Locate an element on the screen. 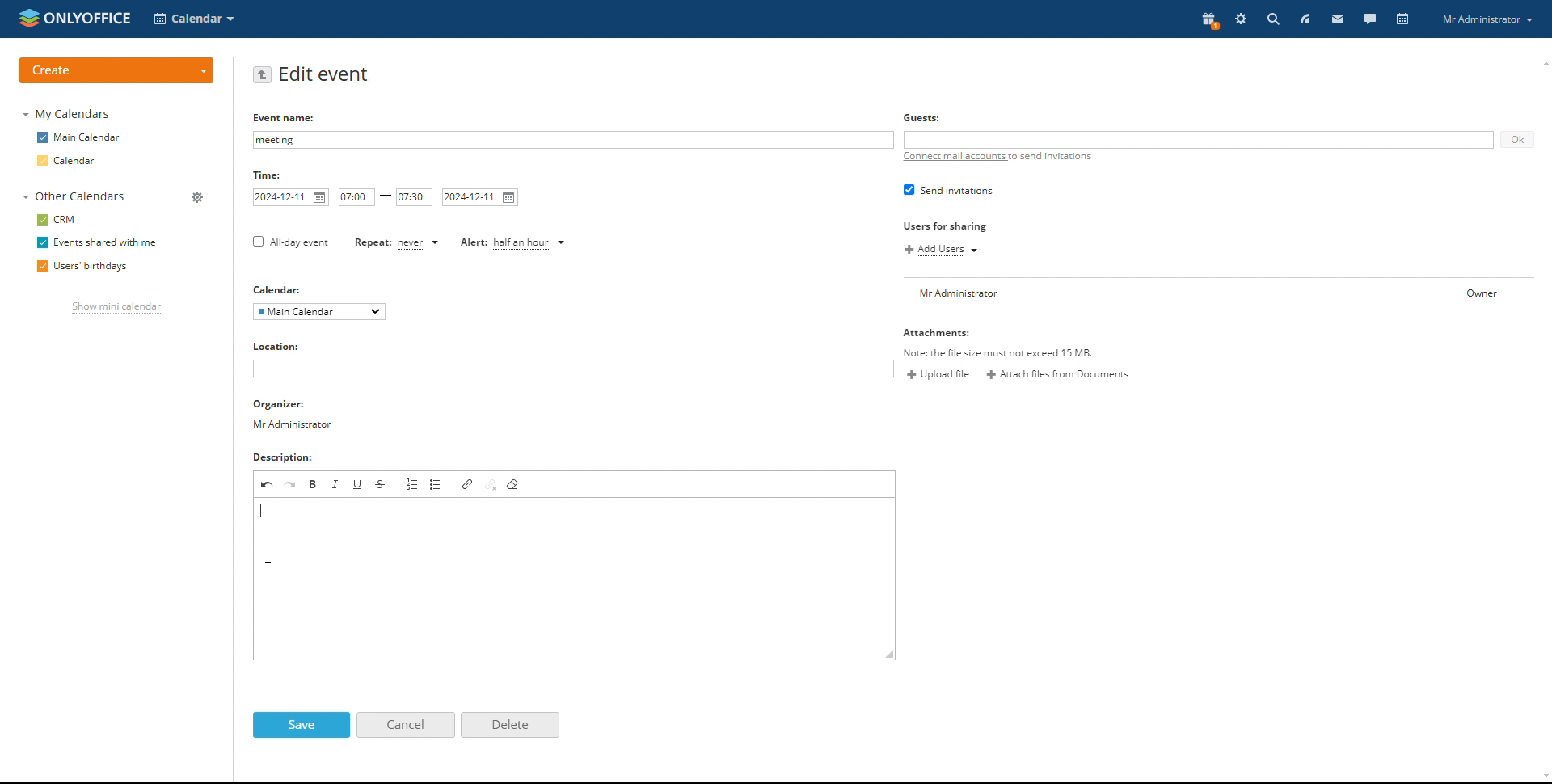 This screenshot has width=1552, height=784. strikethrough is located at coordinates (382, 485).